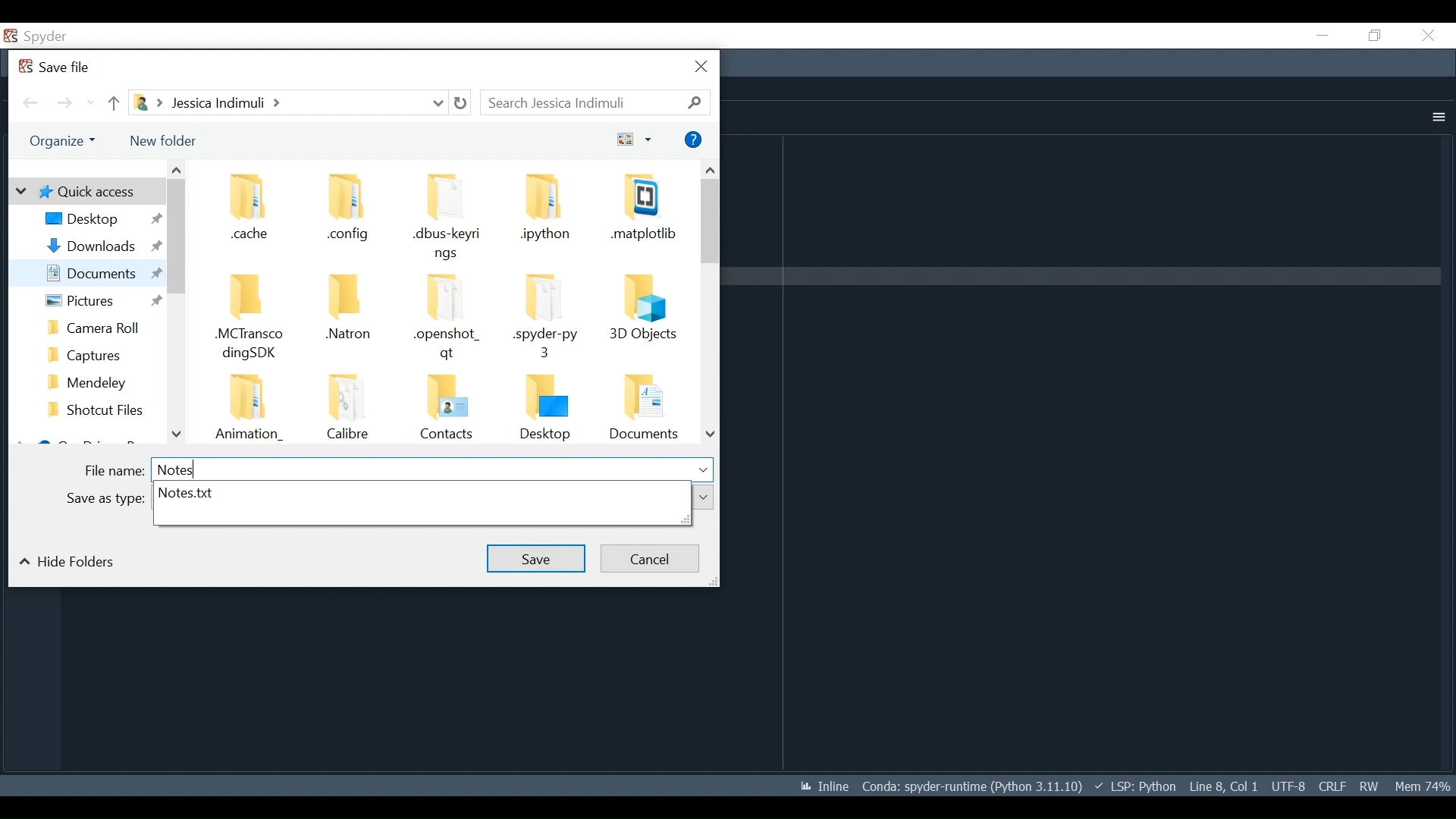 The image size is (1456, 819). Describe the element at coordinates (711, 221) in the screenshot. I see `Vertical Scroll bar` at that location.